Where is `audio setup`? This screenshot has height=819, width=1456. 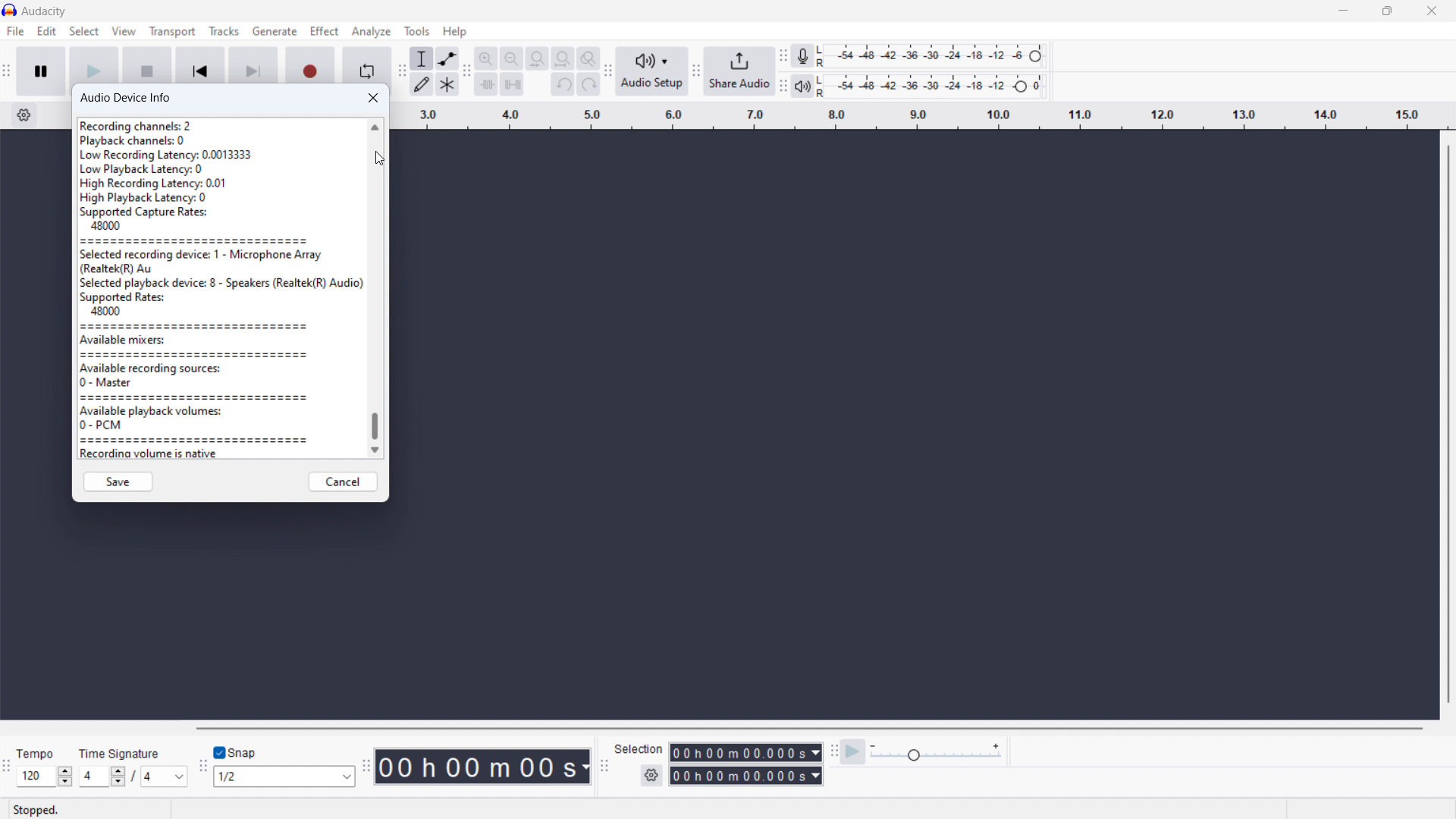
audio setup is located at coordinates (652, 71).